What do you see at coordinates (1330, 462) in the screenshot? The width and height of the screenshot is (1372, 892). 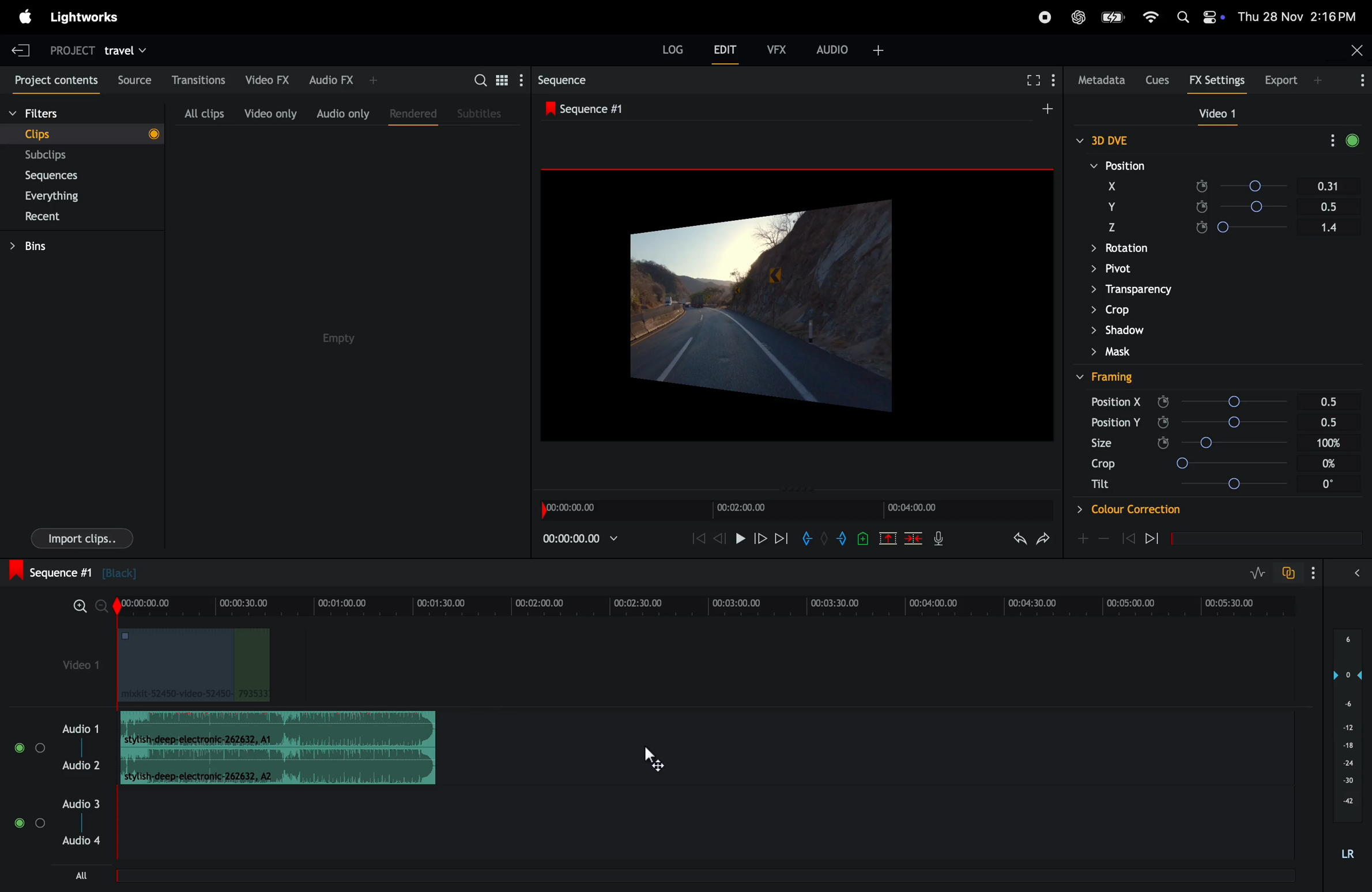 I see `` at bounding box center [1330, 462].